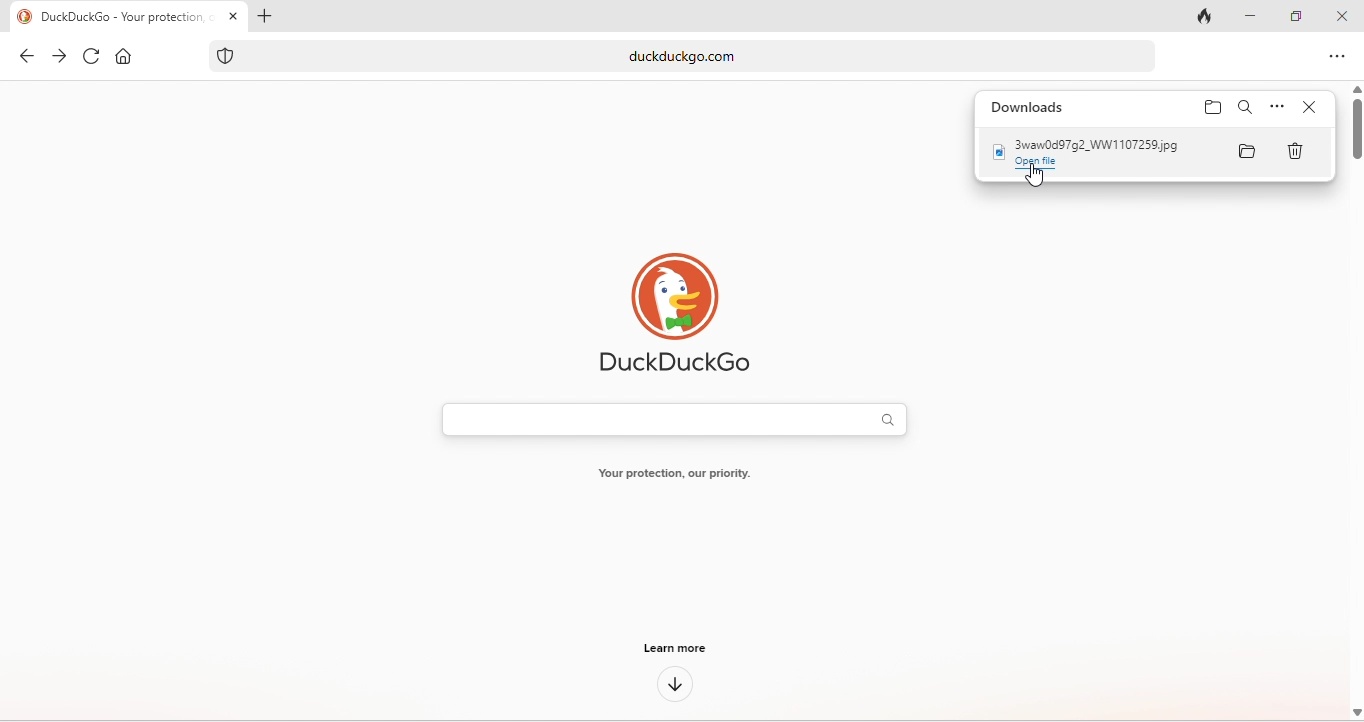  Describe the element at coordinates (1313, 109) in the screenshot. I see `close` at that location.